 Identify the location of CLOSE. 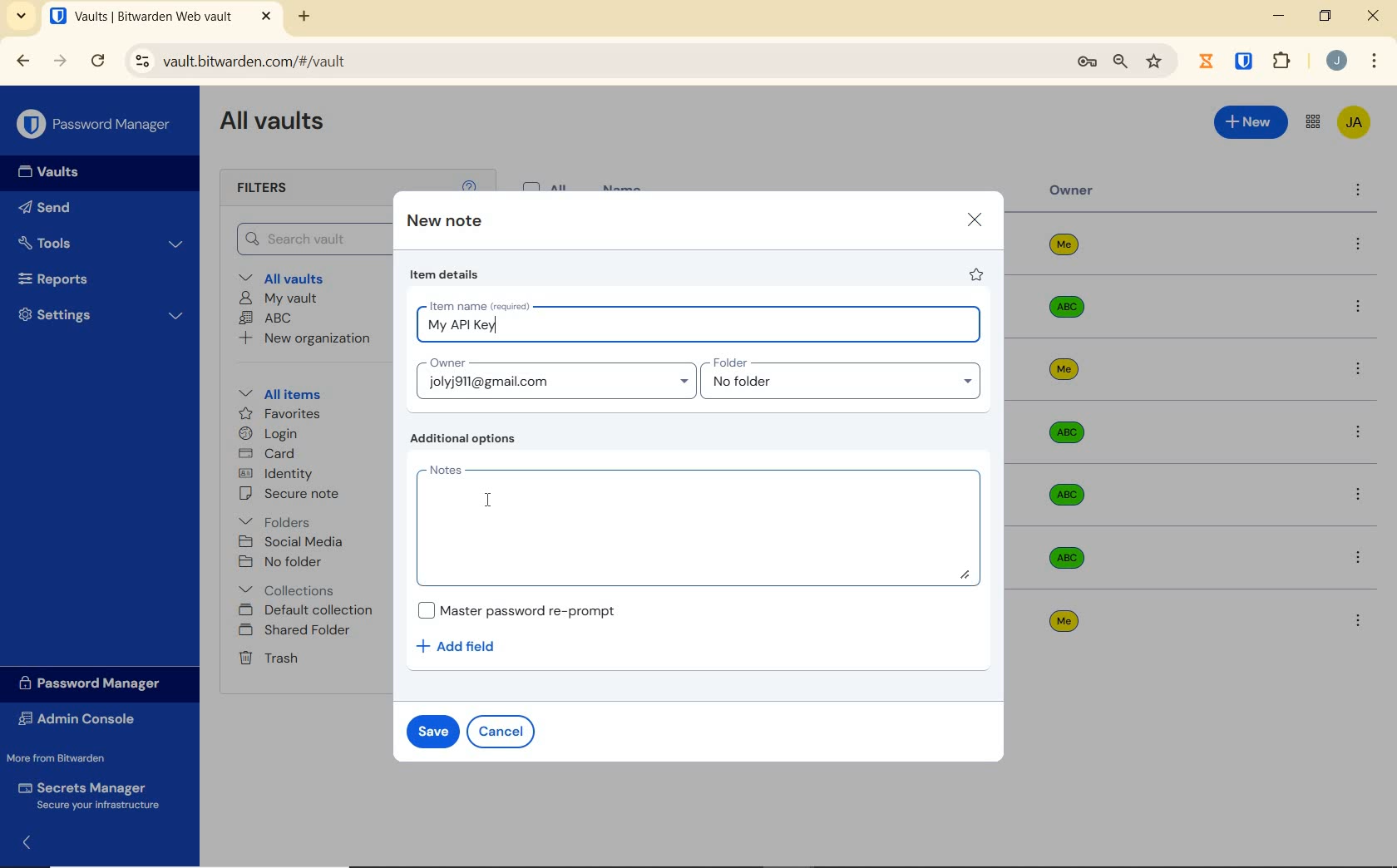
(1375, 20).